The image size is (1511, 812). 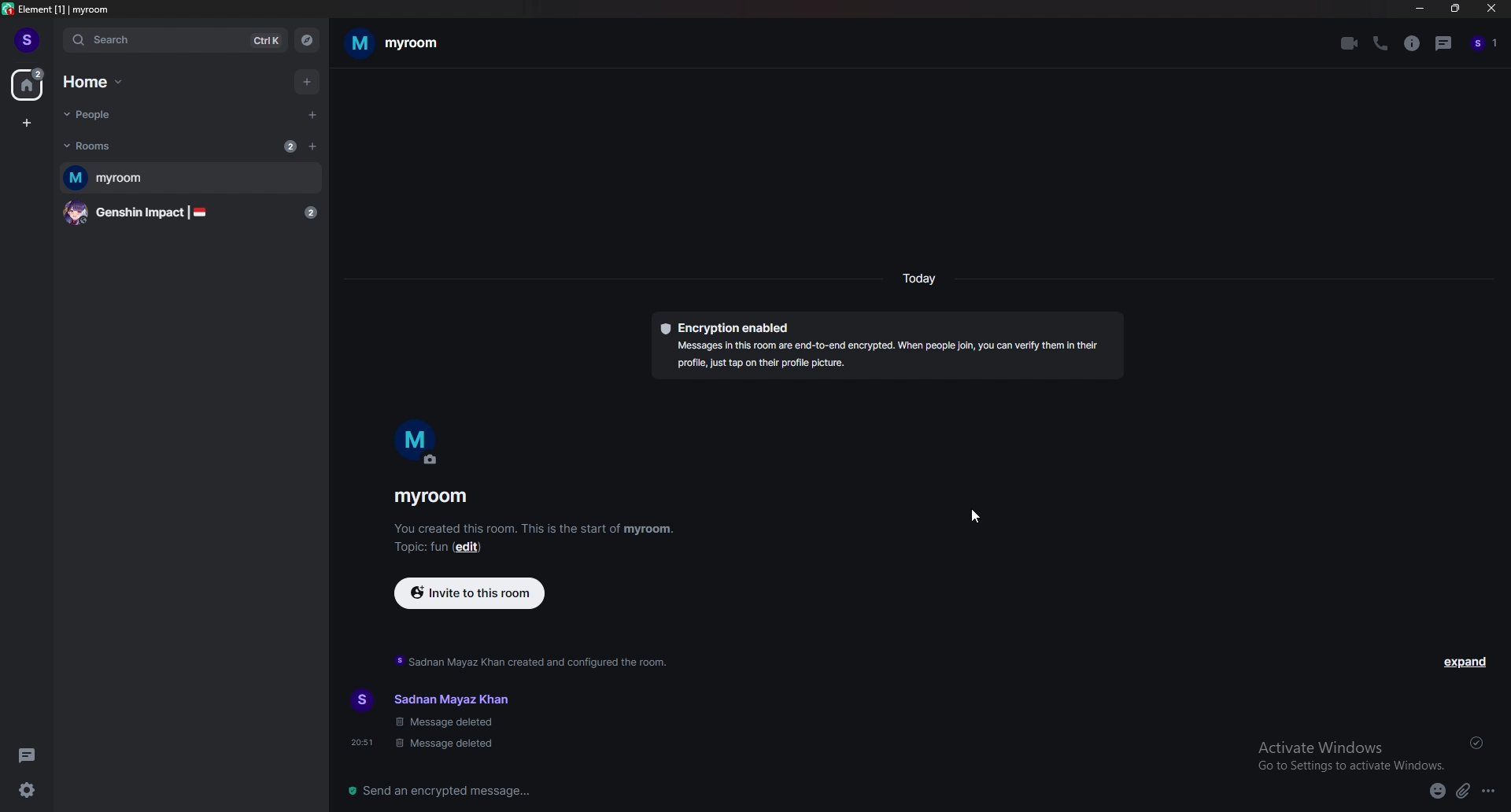 What do you see at coordinates (194, 213) in the screenshot?
I see `genshin impact |` at bounding box center [194, 213].